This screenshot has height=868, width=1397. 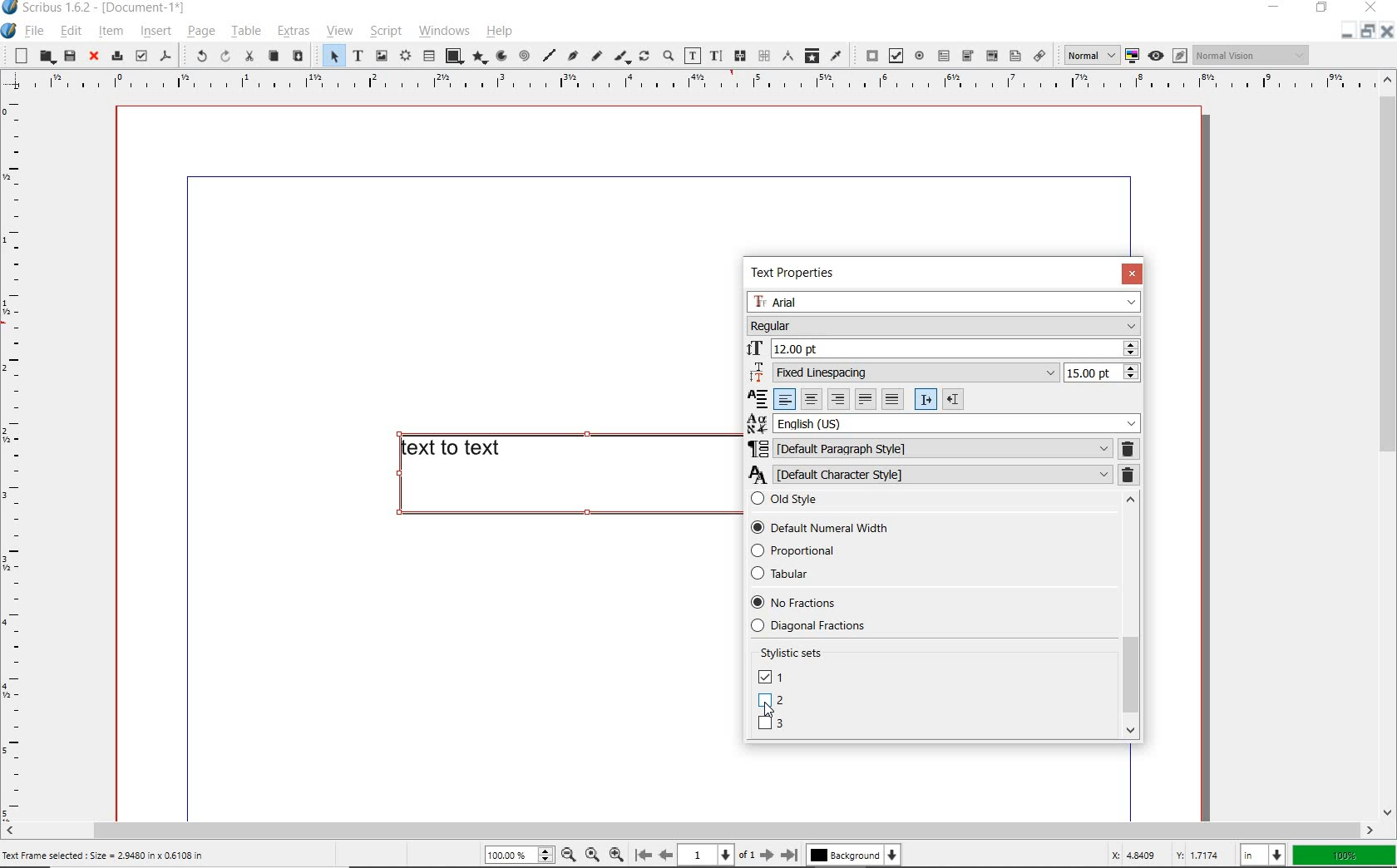 What do you see at coordinates (99, 10) in the screenshot?
I see `Scribus 1.6.2 - [Document-1*]` at bounding box center [99, 10].